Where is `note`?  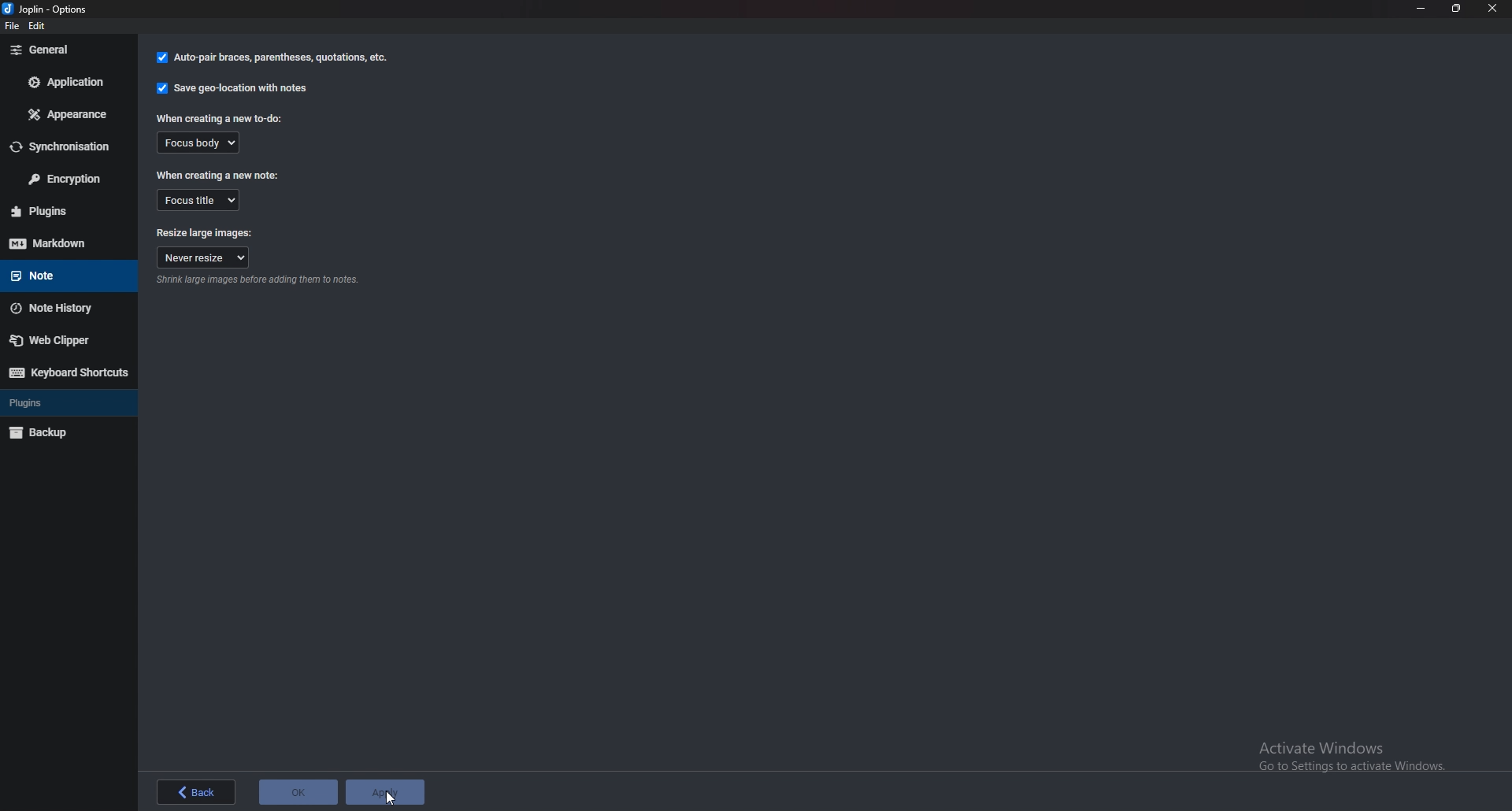 note is located at coordinates (61, 274).